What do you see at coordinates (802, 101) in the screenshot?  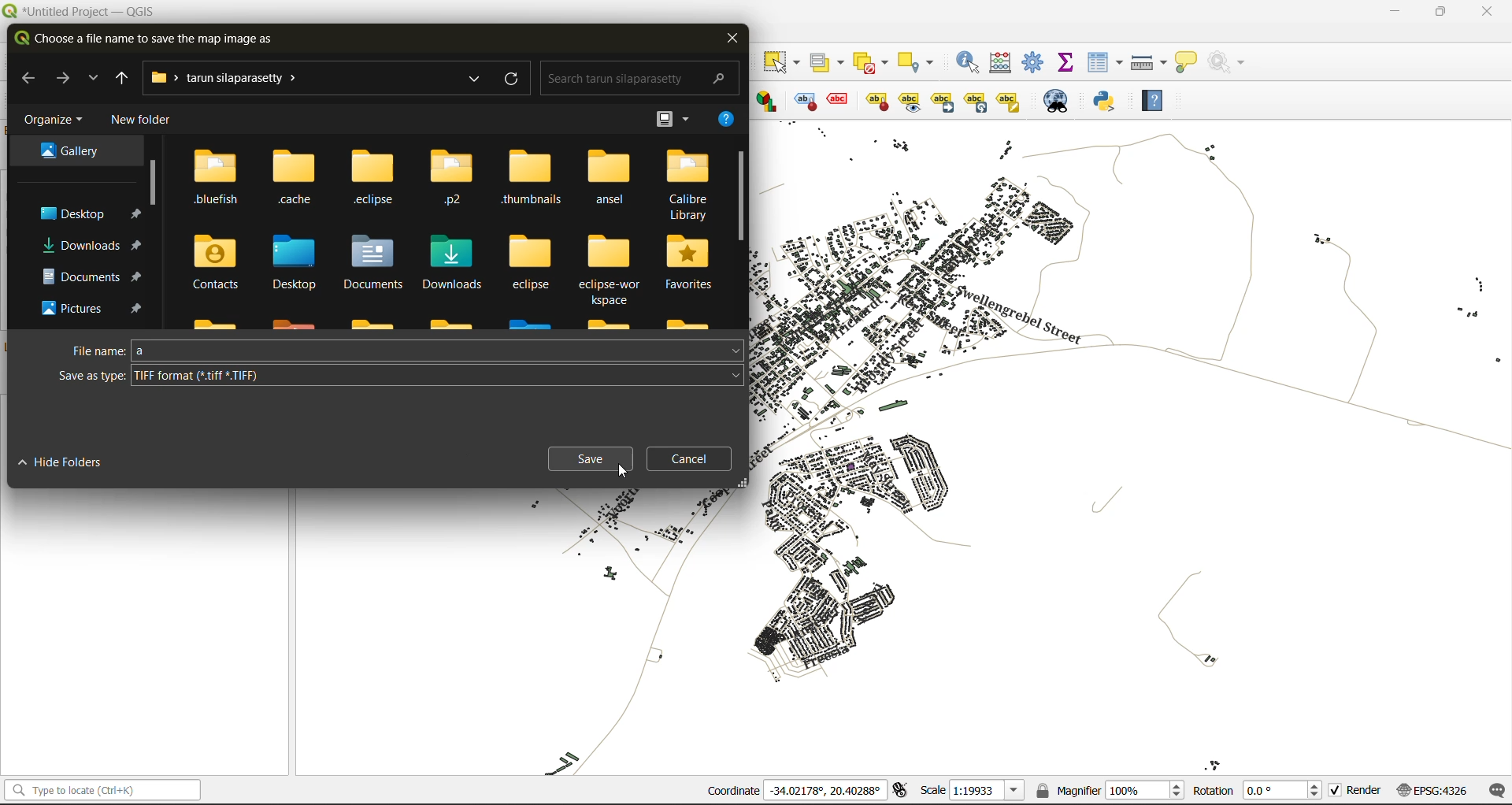 I see ` toggle display` at bounding box center [802, 101].